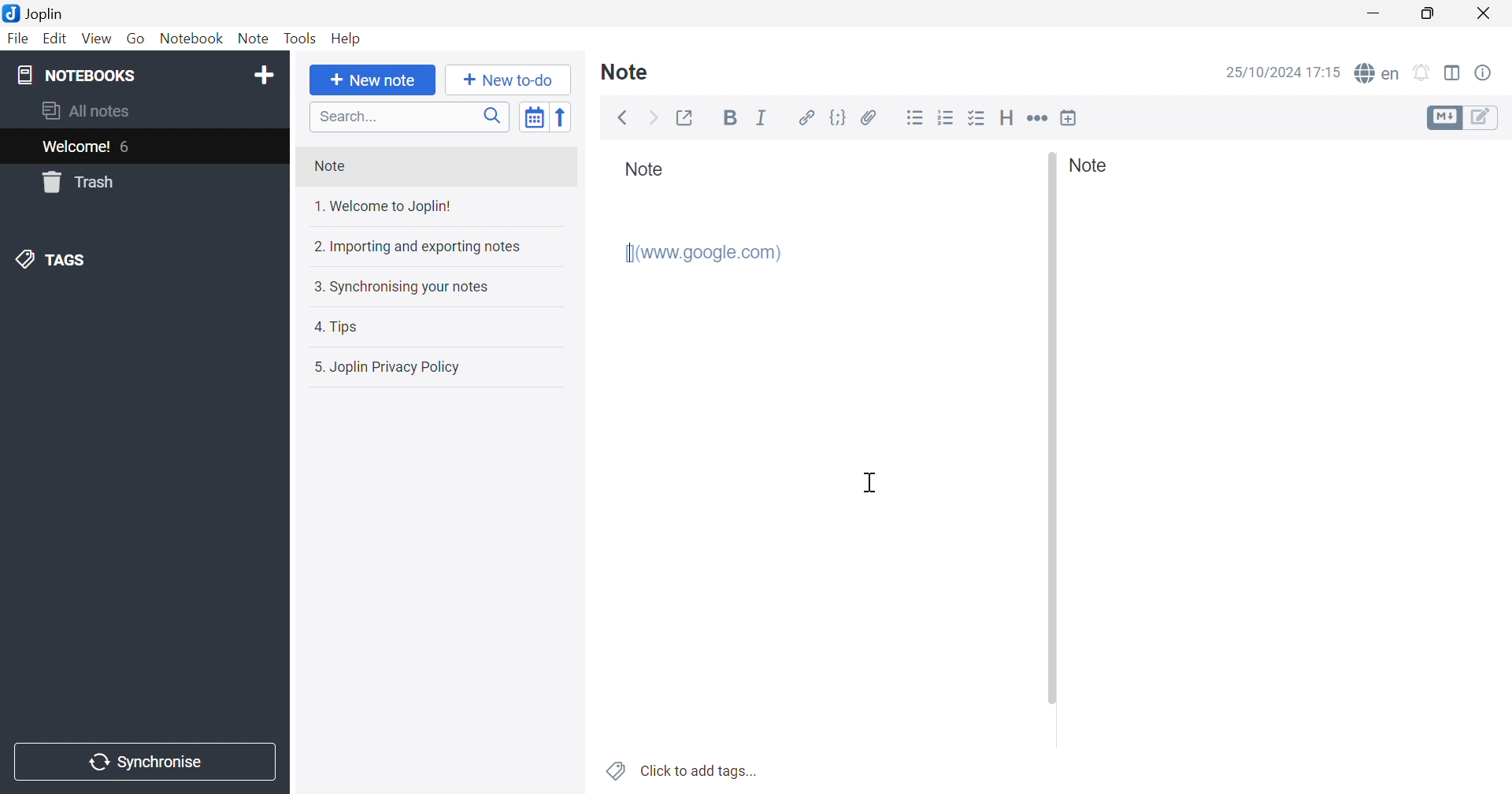 This screenshot has height=794, width=1512. What do you see at coordinates (510, 80) in the screenshot?
I see `+ New to-do` at bounding box center [510, 80].